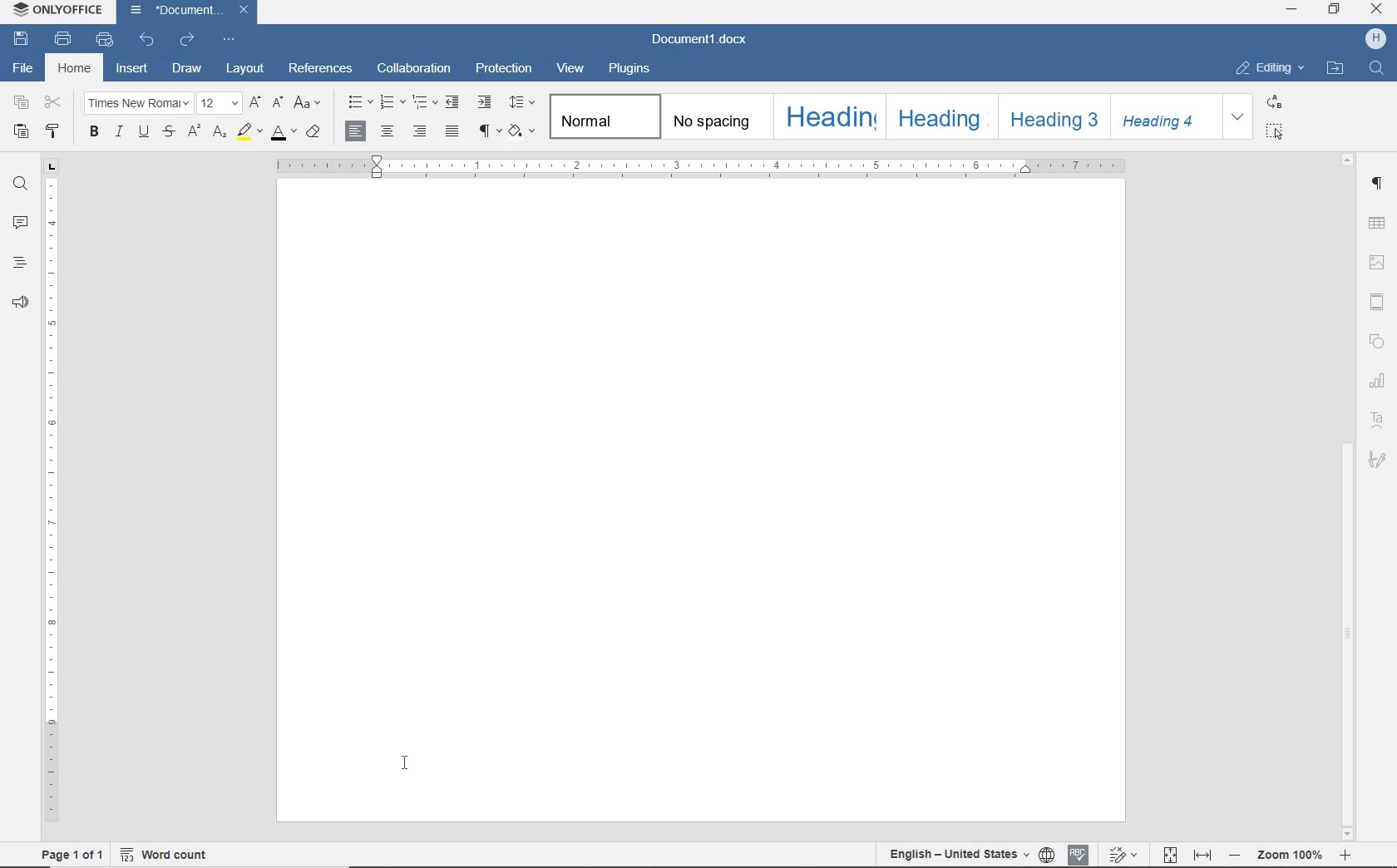  I want to click on zoom 100%, so click(1288, 854).